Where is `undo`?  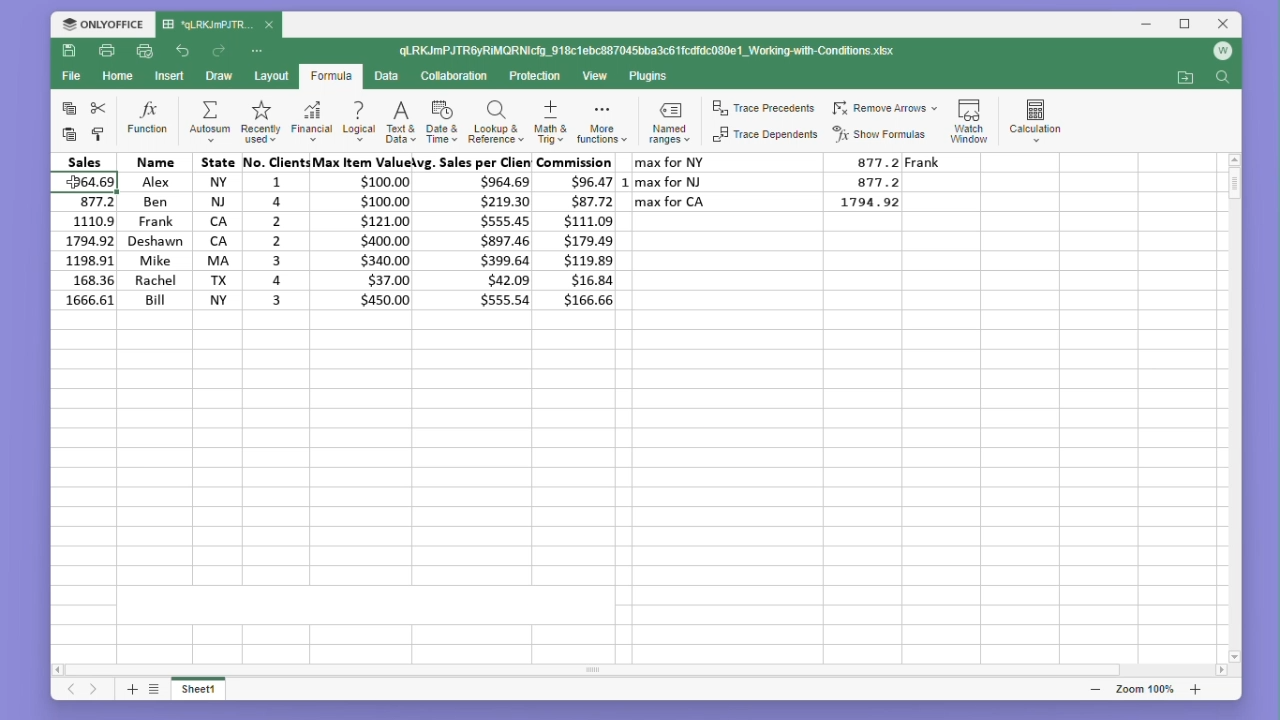
undo is located at coordinates (184, 52).